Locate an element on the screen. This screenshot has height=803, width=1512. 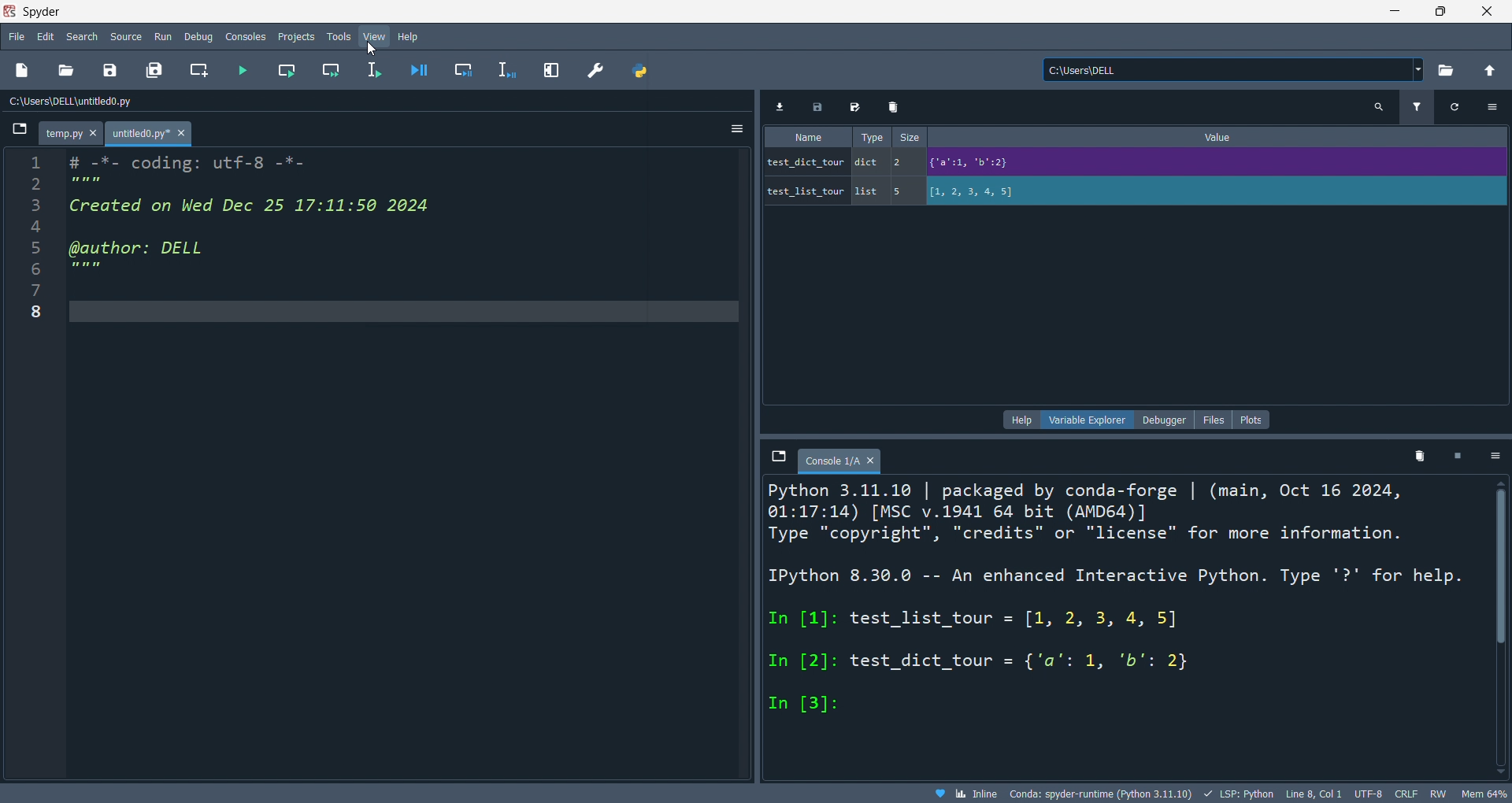
variable name is located at coordinates (805, 189).